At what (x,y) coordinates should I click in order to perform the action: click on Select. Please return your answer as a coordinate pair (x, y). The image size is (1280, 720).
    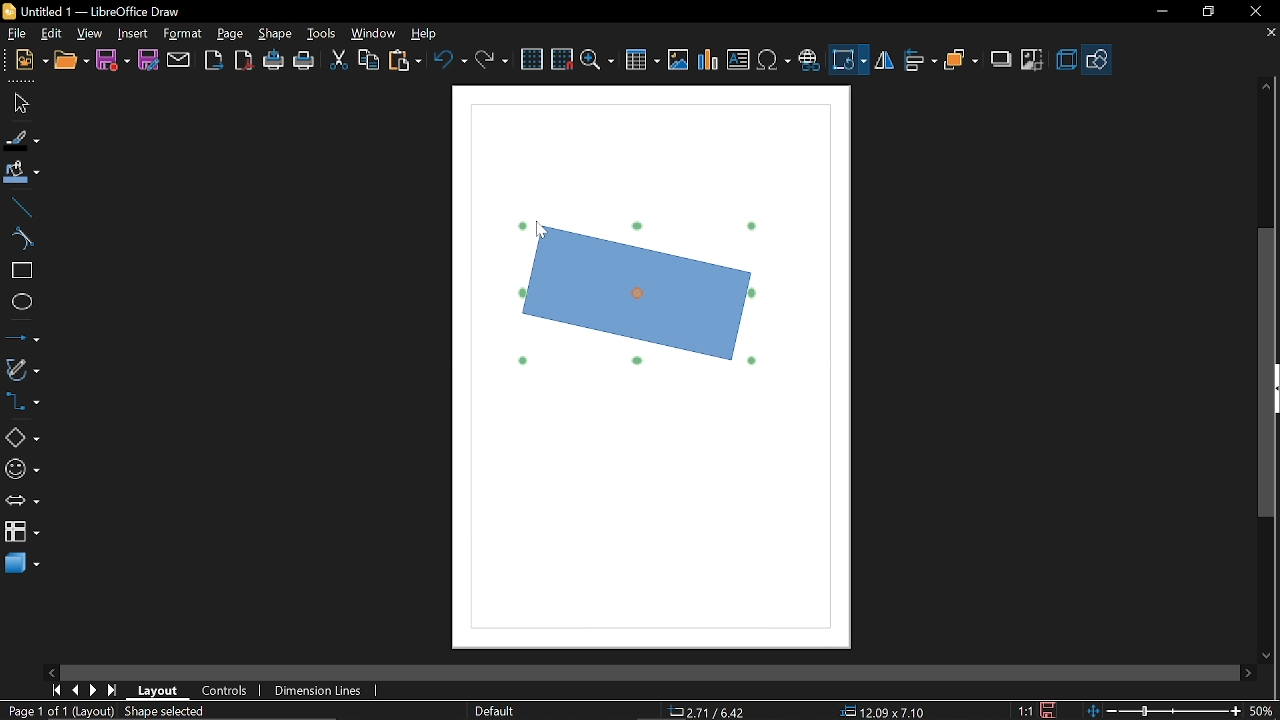
    Looking at the image, I should click on (20, 104).